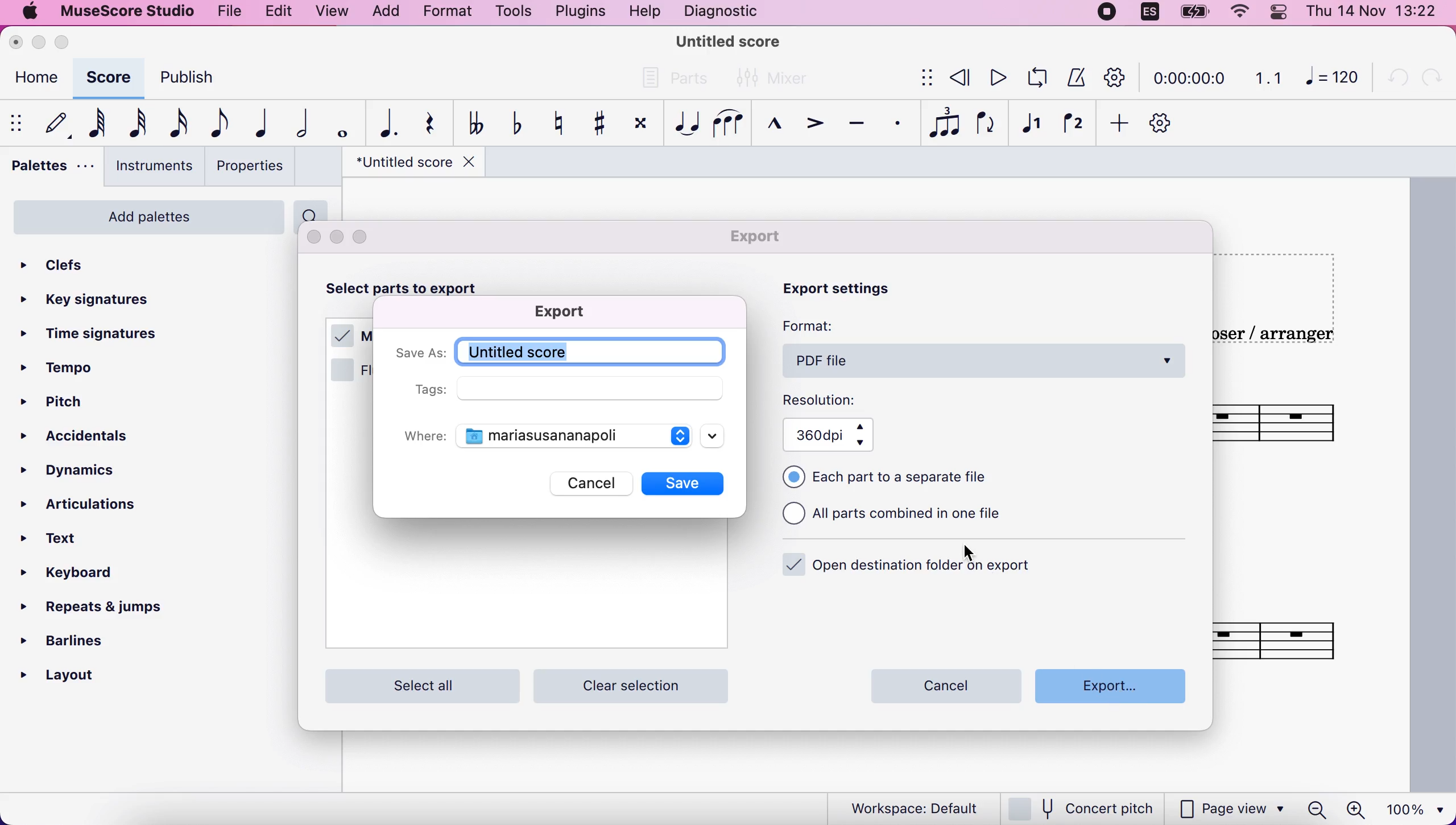 Image resolution: width=1456 pixels, height=825 pixels. What do you see at coordinates (429, 385) in the screenshot?
I see `tags` at bounding box center [429, 385].